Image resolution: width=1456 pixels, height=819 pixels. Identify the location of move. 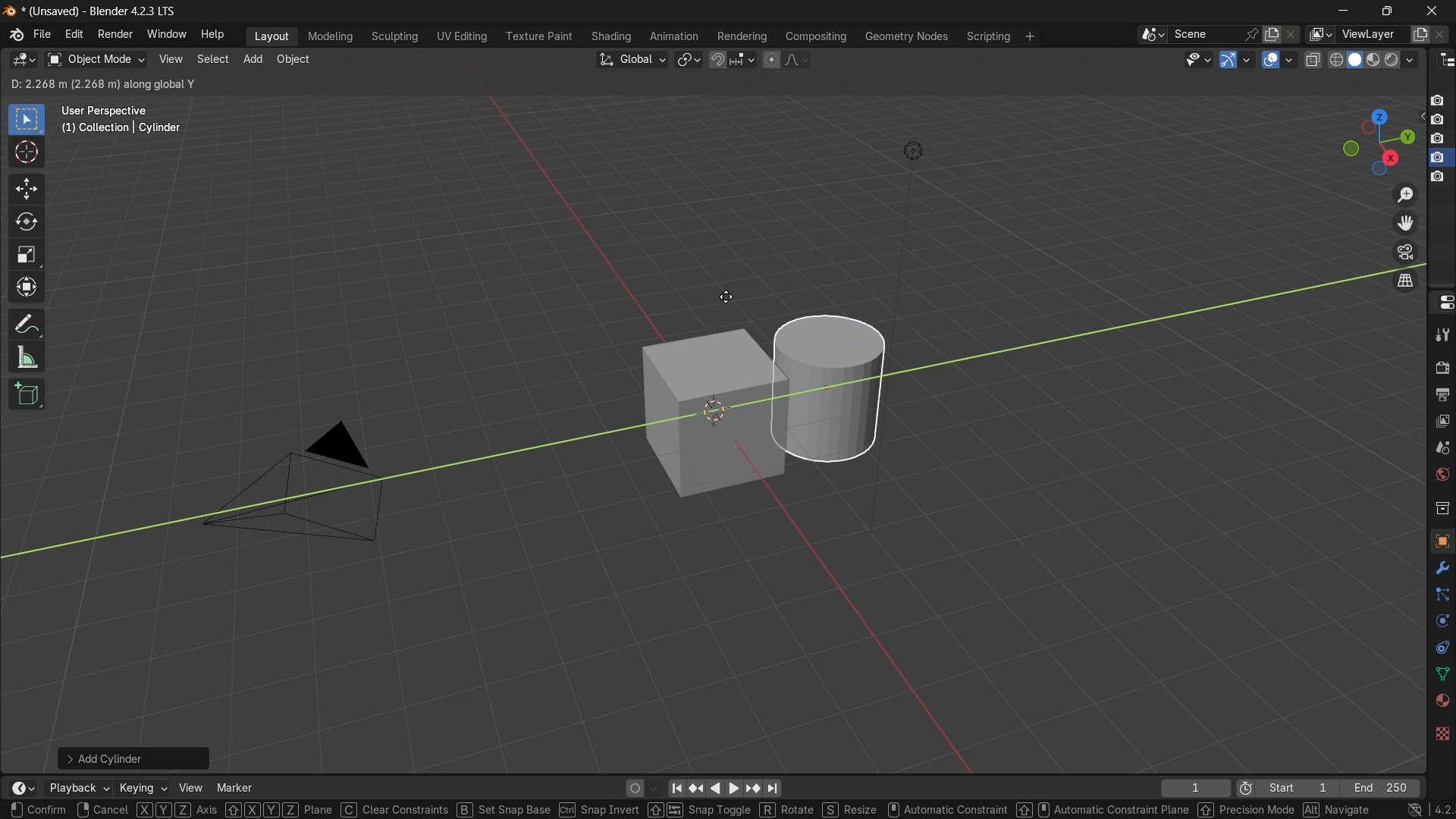
(27, 189).